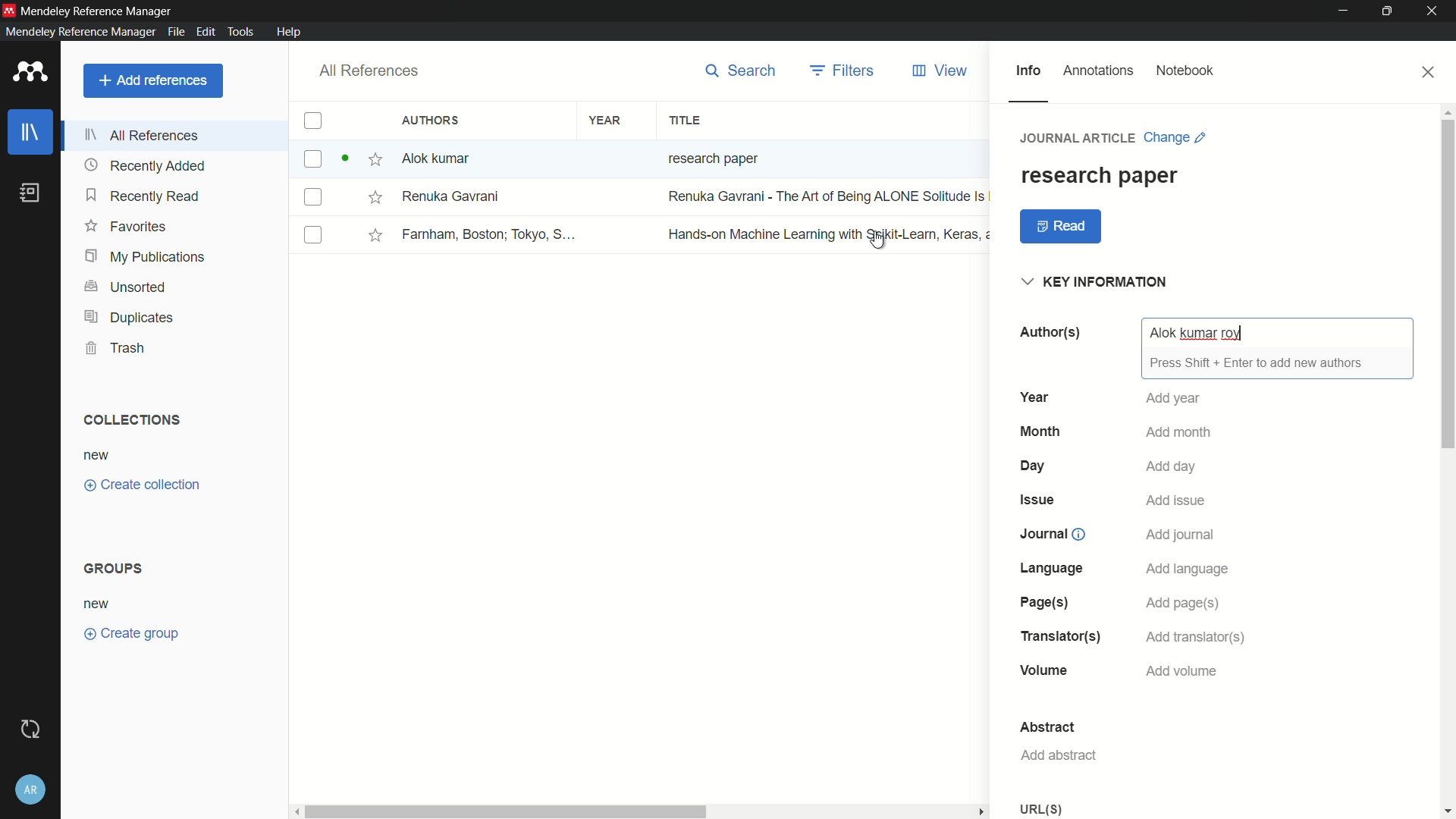  I want to click on notebook, so click(1185, 71).